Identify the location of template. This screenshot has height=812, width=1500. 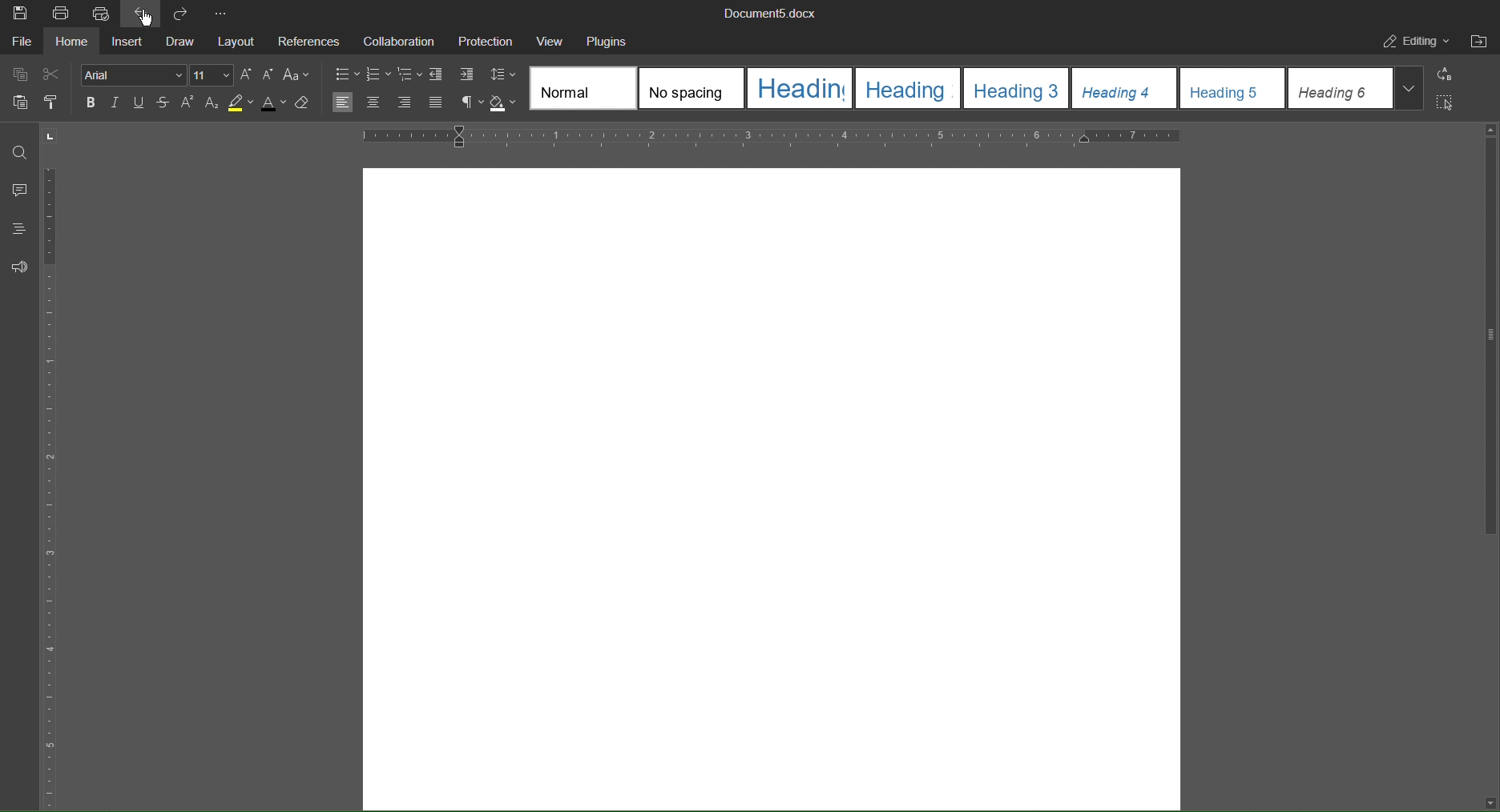
(1124, 88).